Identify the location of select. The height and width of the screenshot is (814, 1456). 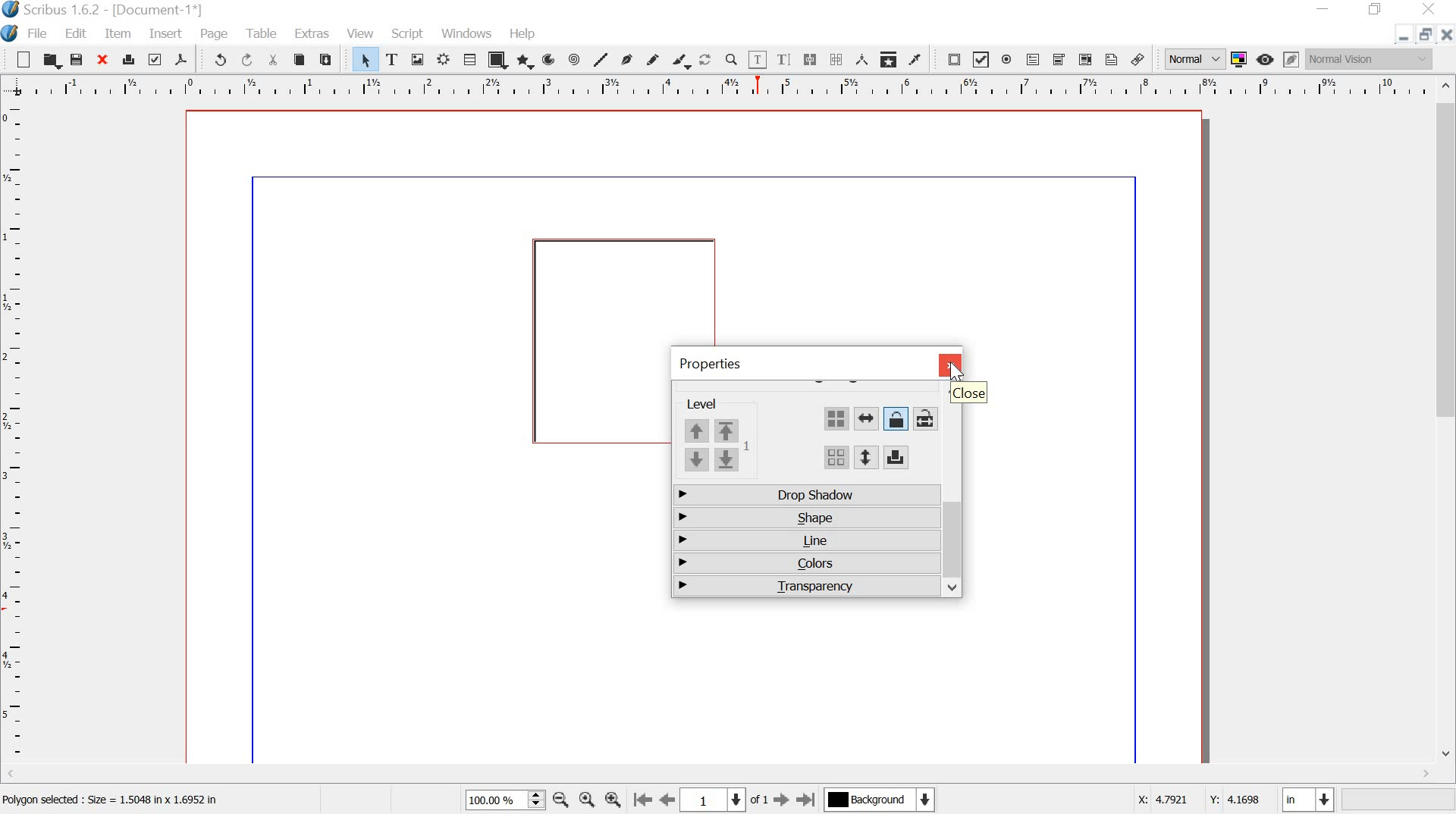
(359, 59).